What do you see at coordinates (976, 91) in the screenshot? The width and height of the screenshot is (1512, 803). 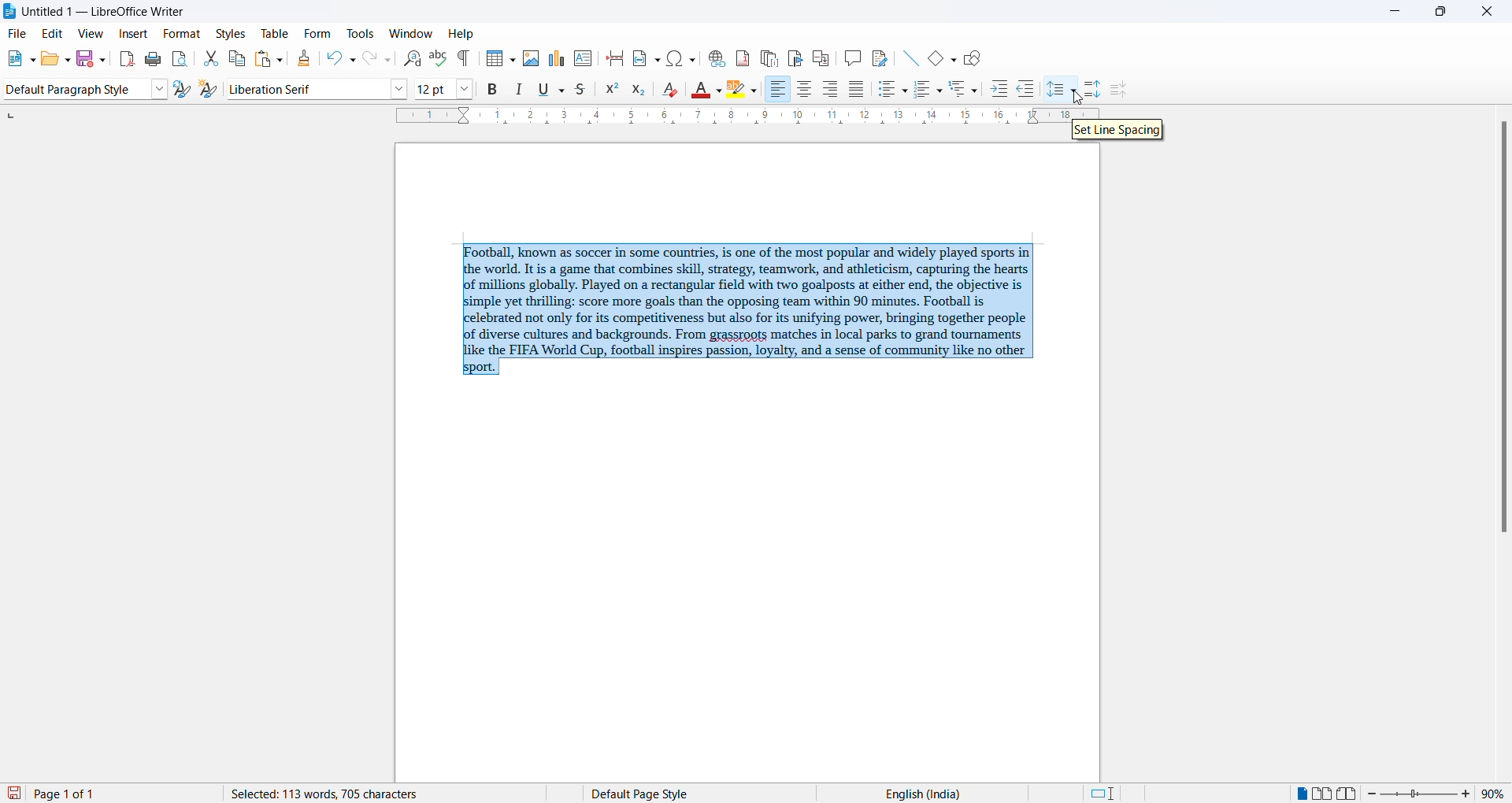 I see `outline format options` at bounding box center [976, 91].